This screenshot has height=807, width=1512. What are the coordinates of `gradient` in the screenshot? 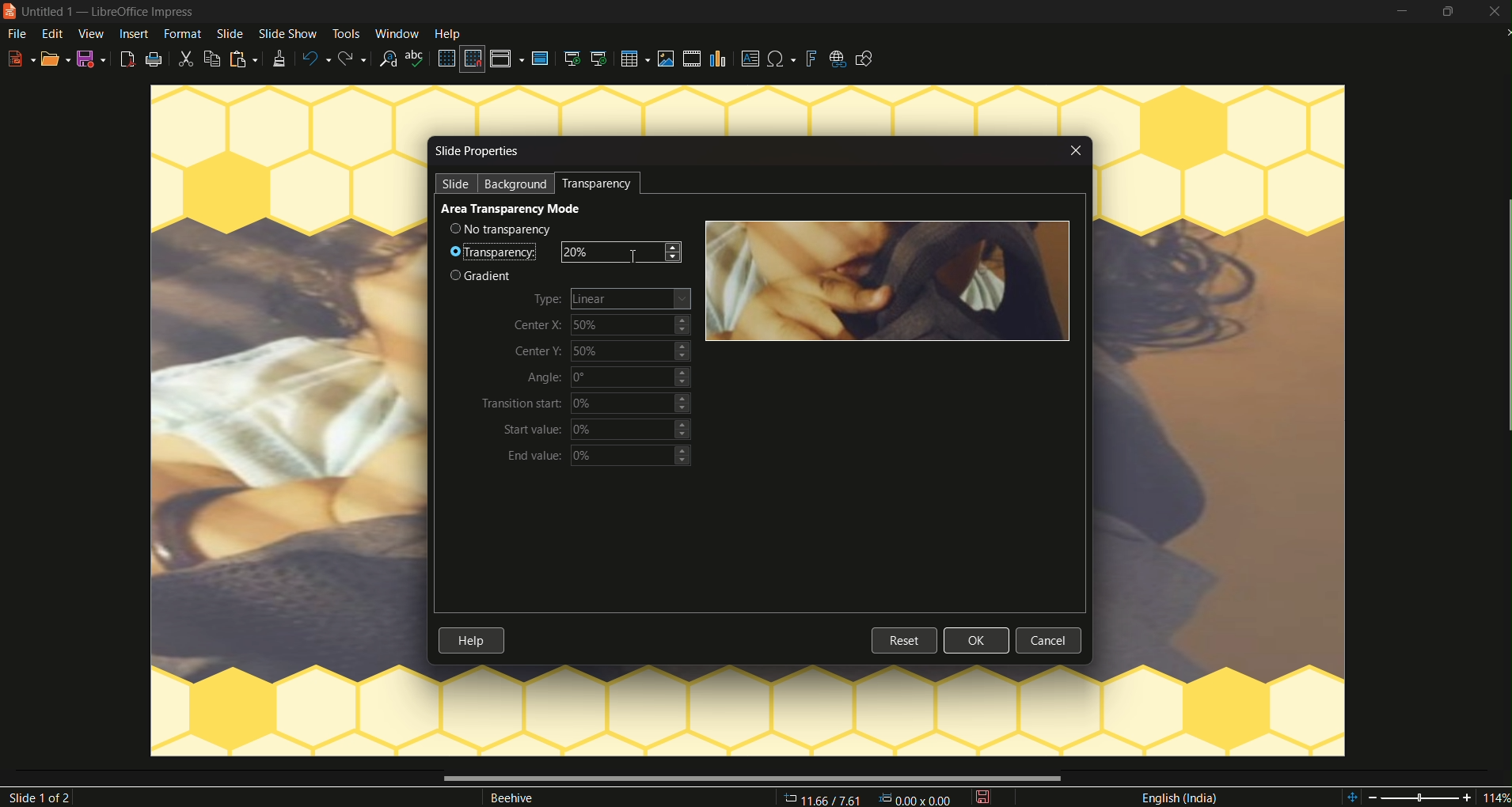 It's located at (485, 277).